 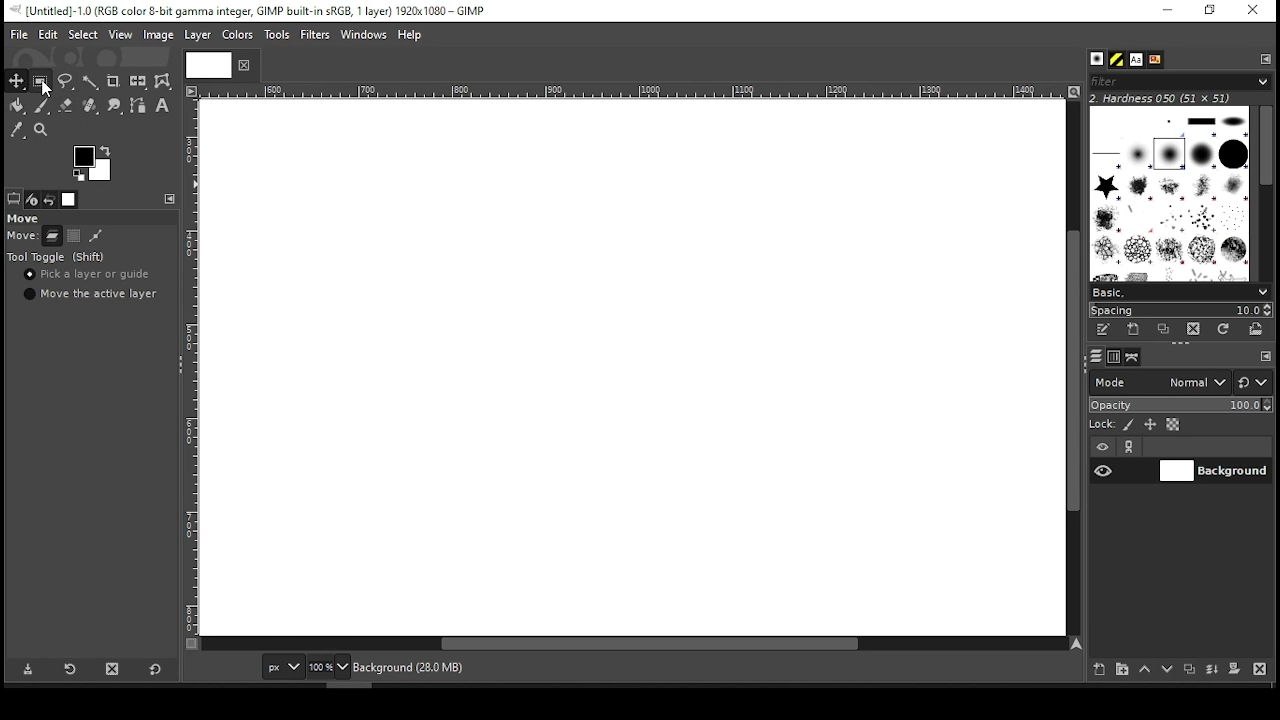 What do you see at coordinates (1257, 329) in the screenshot?
I see `open brush as image` at bounding box center [1257, 329].